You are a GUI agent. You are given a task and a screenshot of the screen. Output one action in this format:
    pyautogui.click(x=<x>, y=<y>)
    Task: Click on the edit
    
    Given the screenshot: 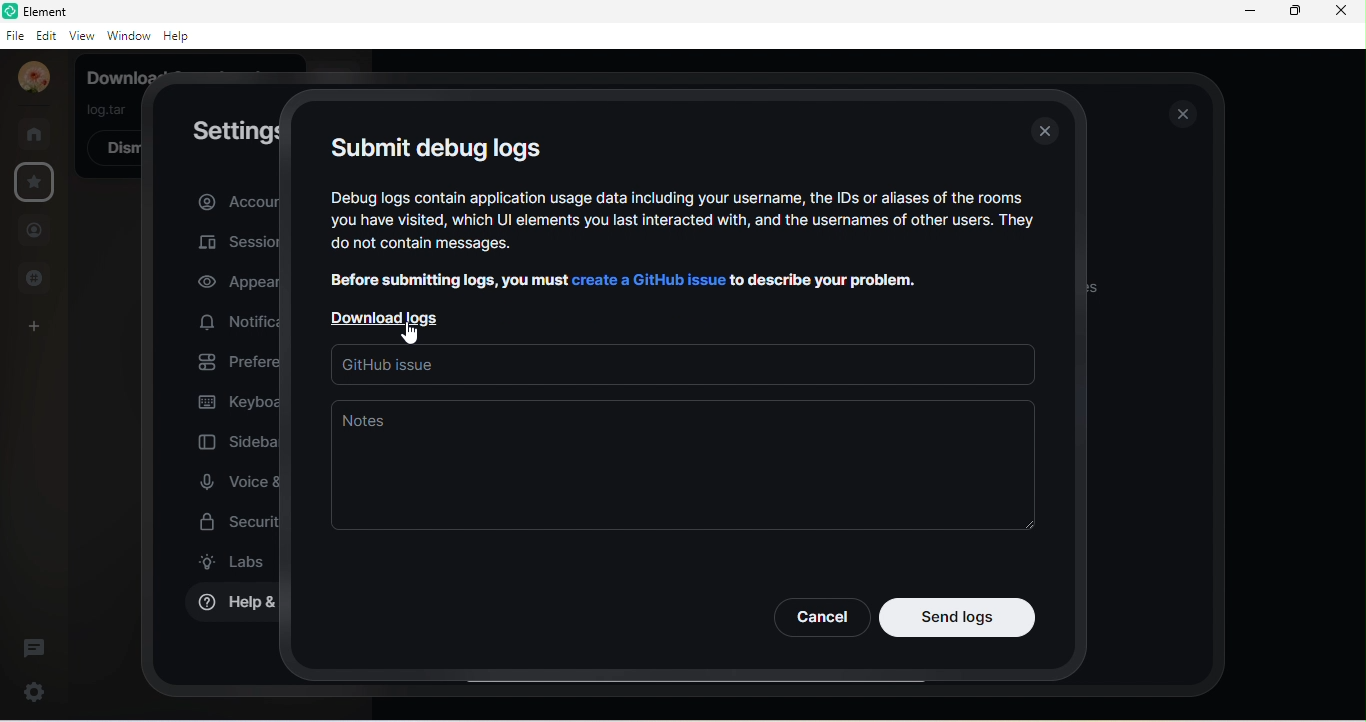 What is the action you would take?
    pyautogui.click(x=46, y=36)
    